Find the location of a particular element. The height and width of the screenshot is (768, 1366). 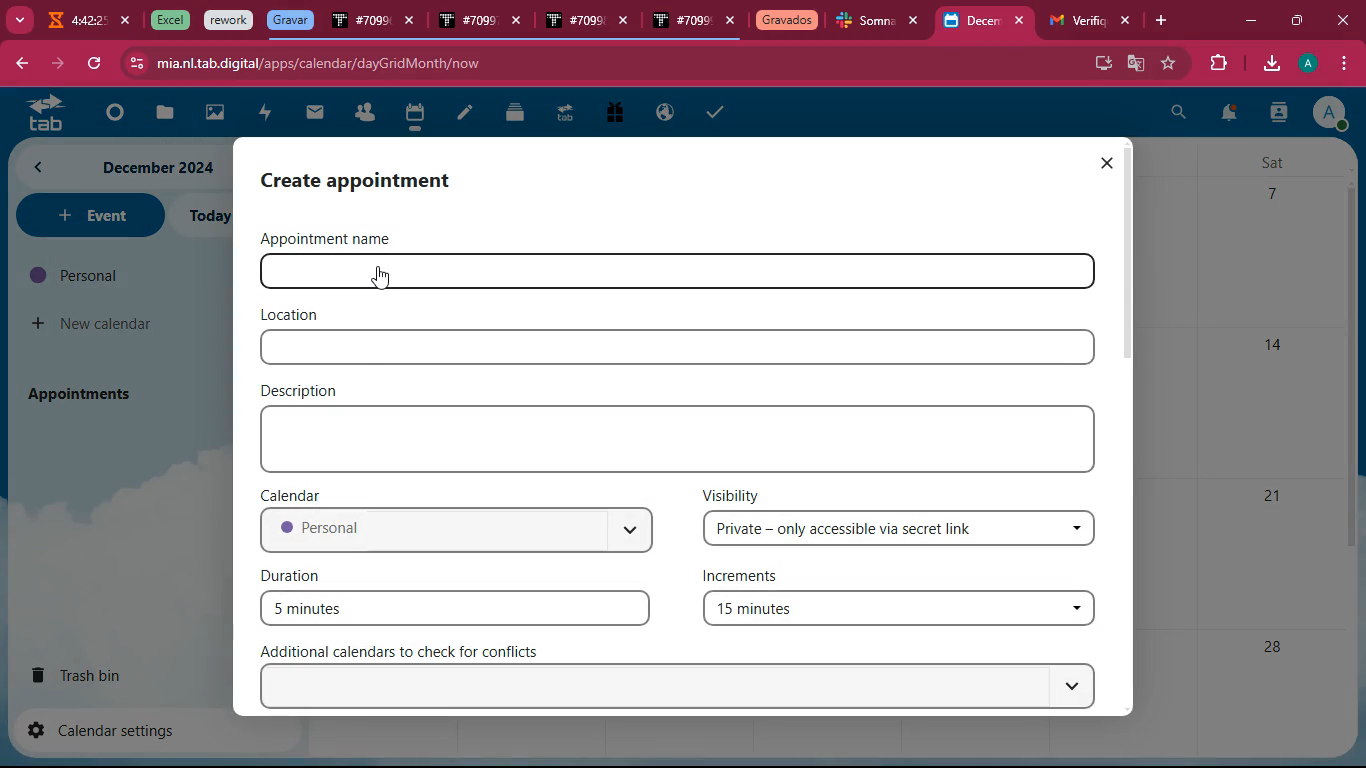

close is located at coordinates (919, 21).